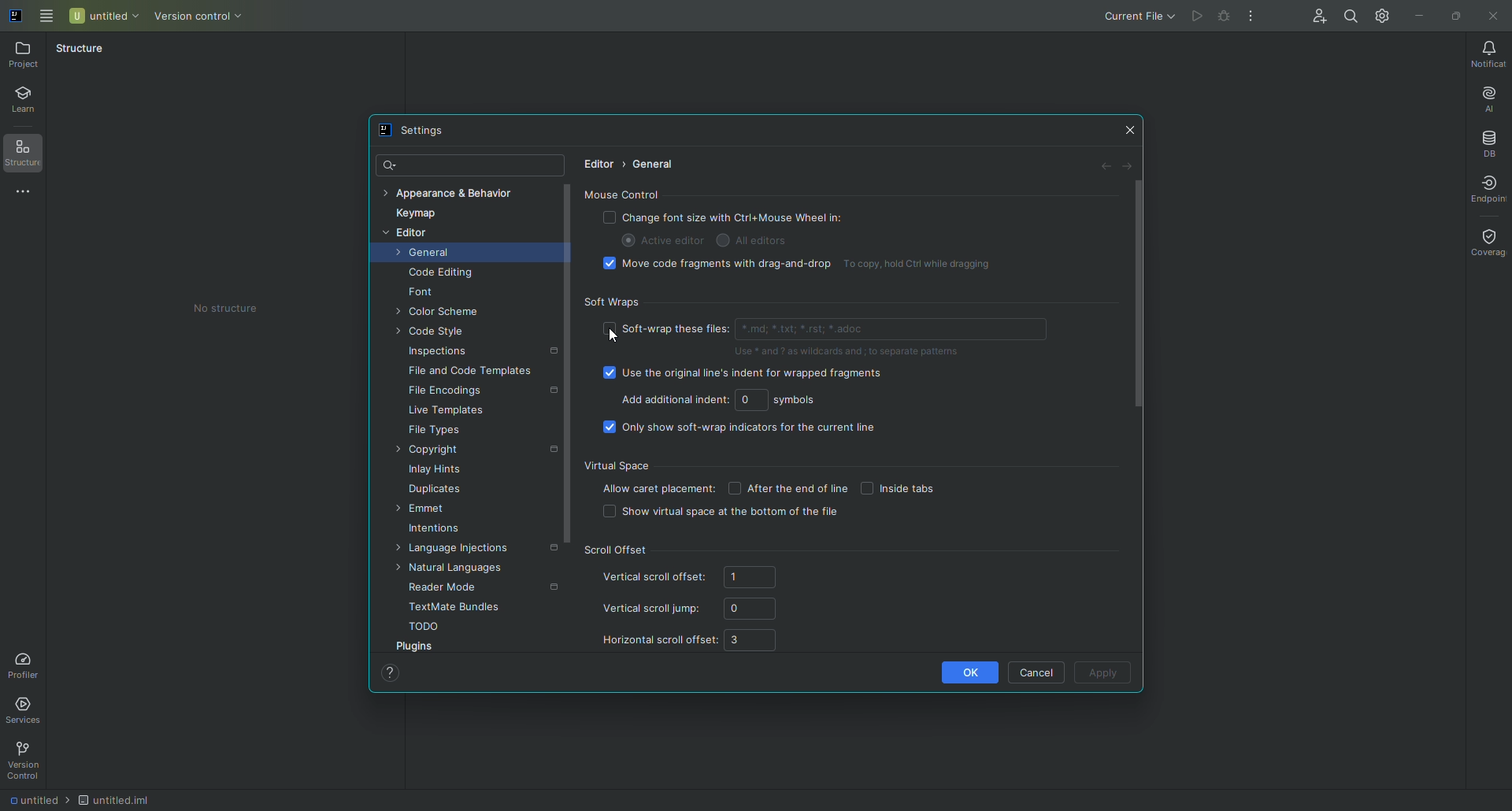  What do you see at coordinates (1130, 130) in the screenshot?
I see `Close` at bounding box center [1130, 130].